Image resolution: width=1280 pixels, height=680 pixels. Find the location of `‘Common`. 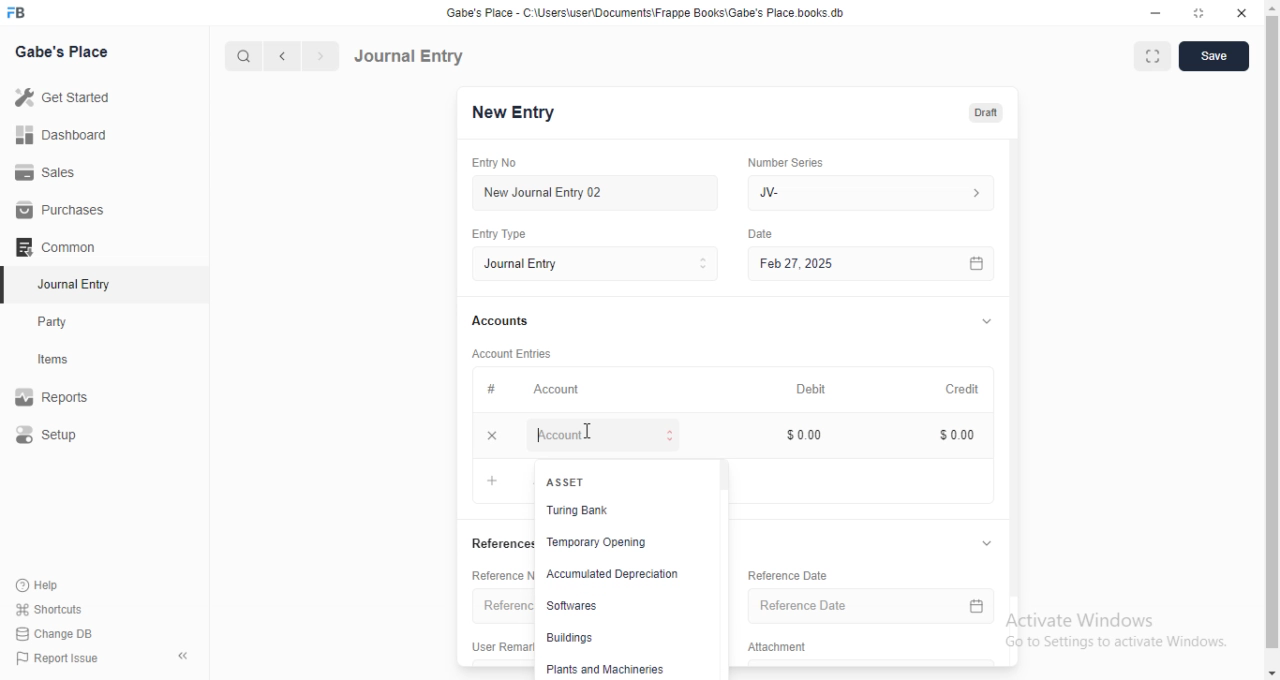

‘Common is located at coordinates (57, 246).